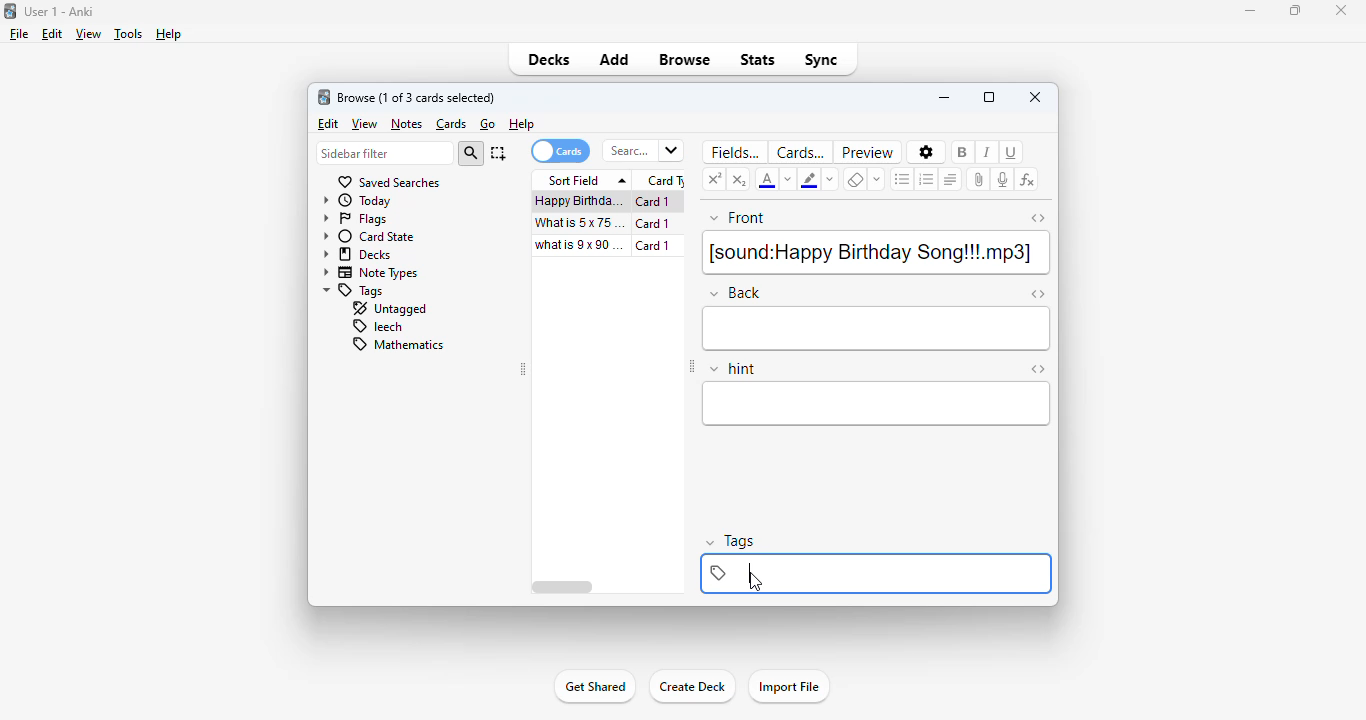 This screenshot has width=1366, height=720. What do you see at coordinates (978, 180) in the screenshot?
I see `attach pictures/audio/video` at bounding box center [978, 180].